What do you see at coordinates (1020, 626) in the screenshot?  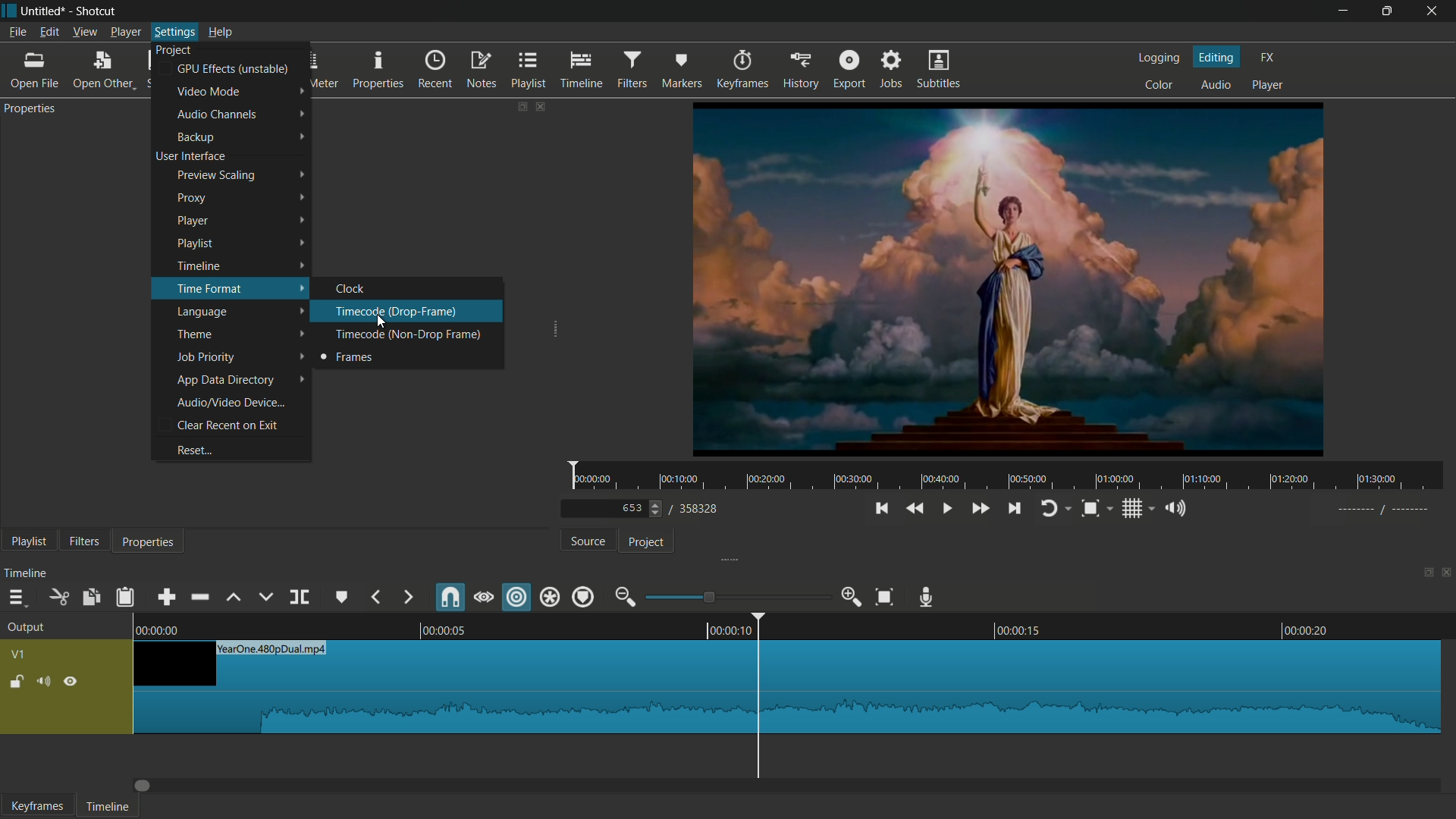 I see `00.0015` at bounding box center [1020, 626].